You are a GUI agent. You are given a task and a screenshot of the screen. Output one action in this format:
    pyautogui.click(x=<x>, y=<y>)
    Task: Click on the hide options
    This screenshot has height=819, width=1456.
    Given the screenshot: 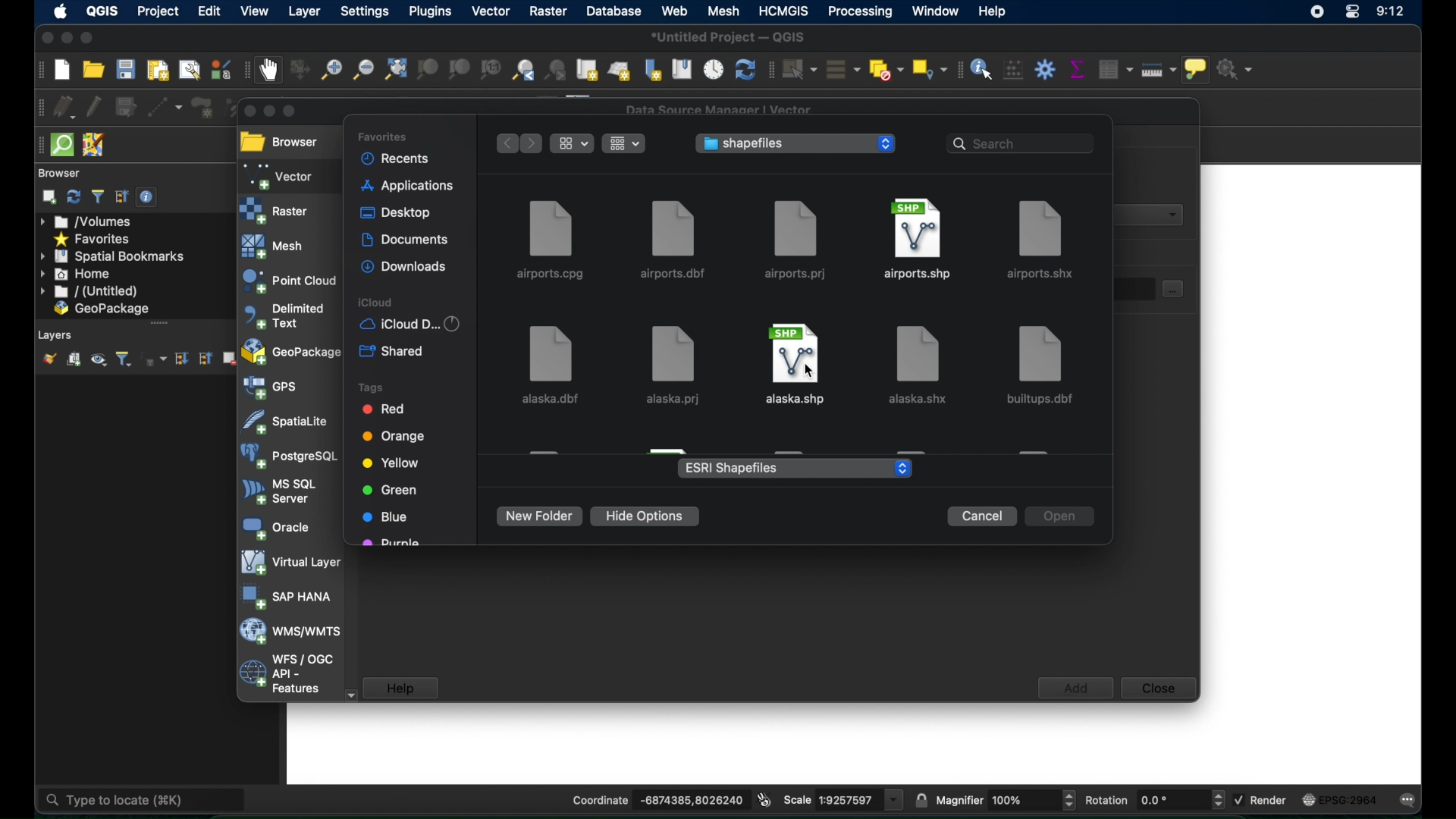 What is the action you would take?
    pyautogui.click(x=644, y=517)
    